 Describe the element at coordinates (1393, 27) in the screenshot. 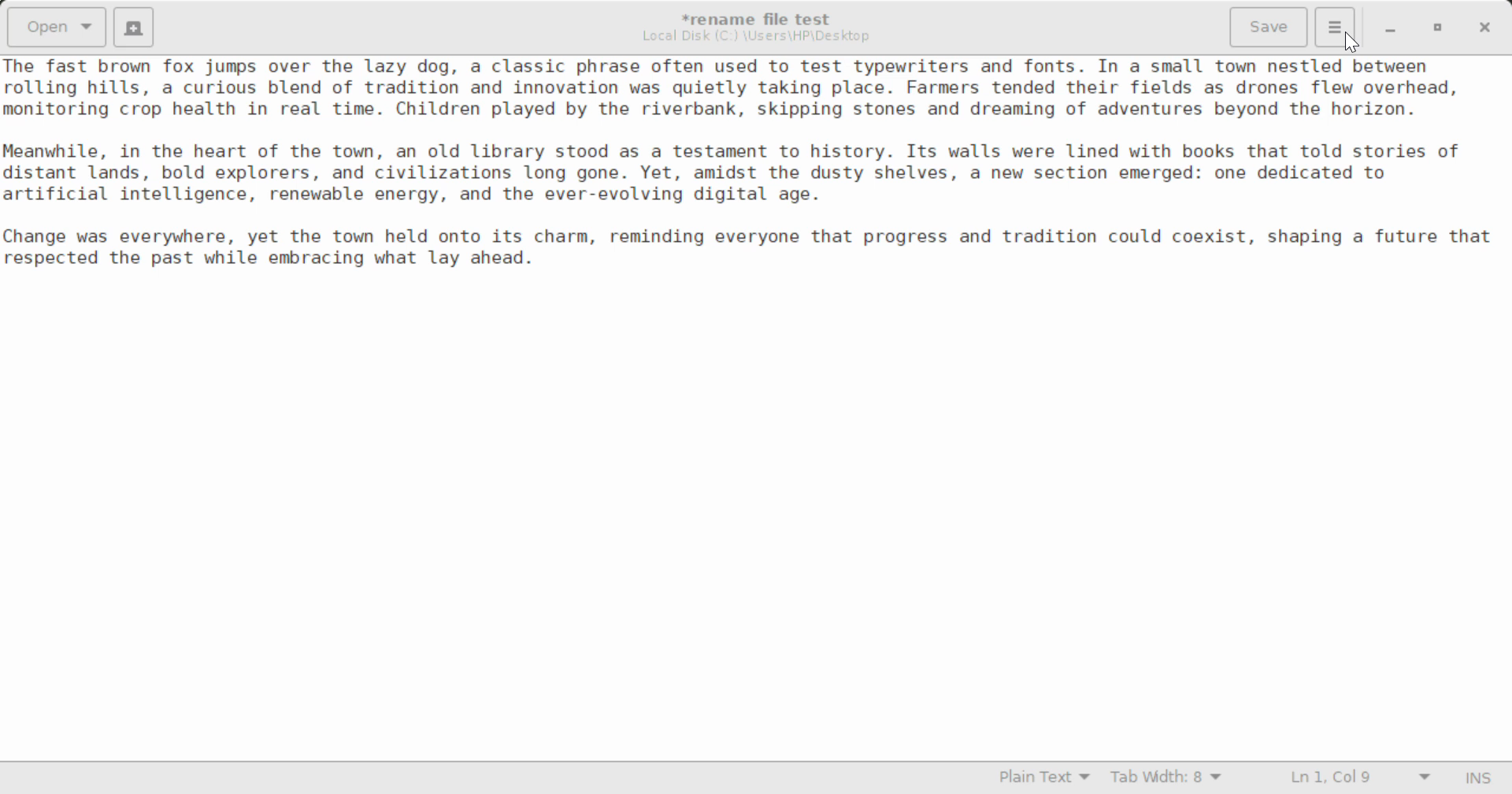

I see `Restore Down` at that location.